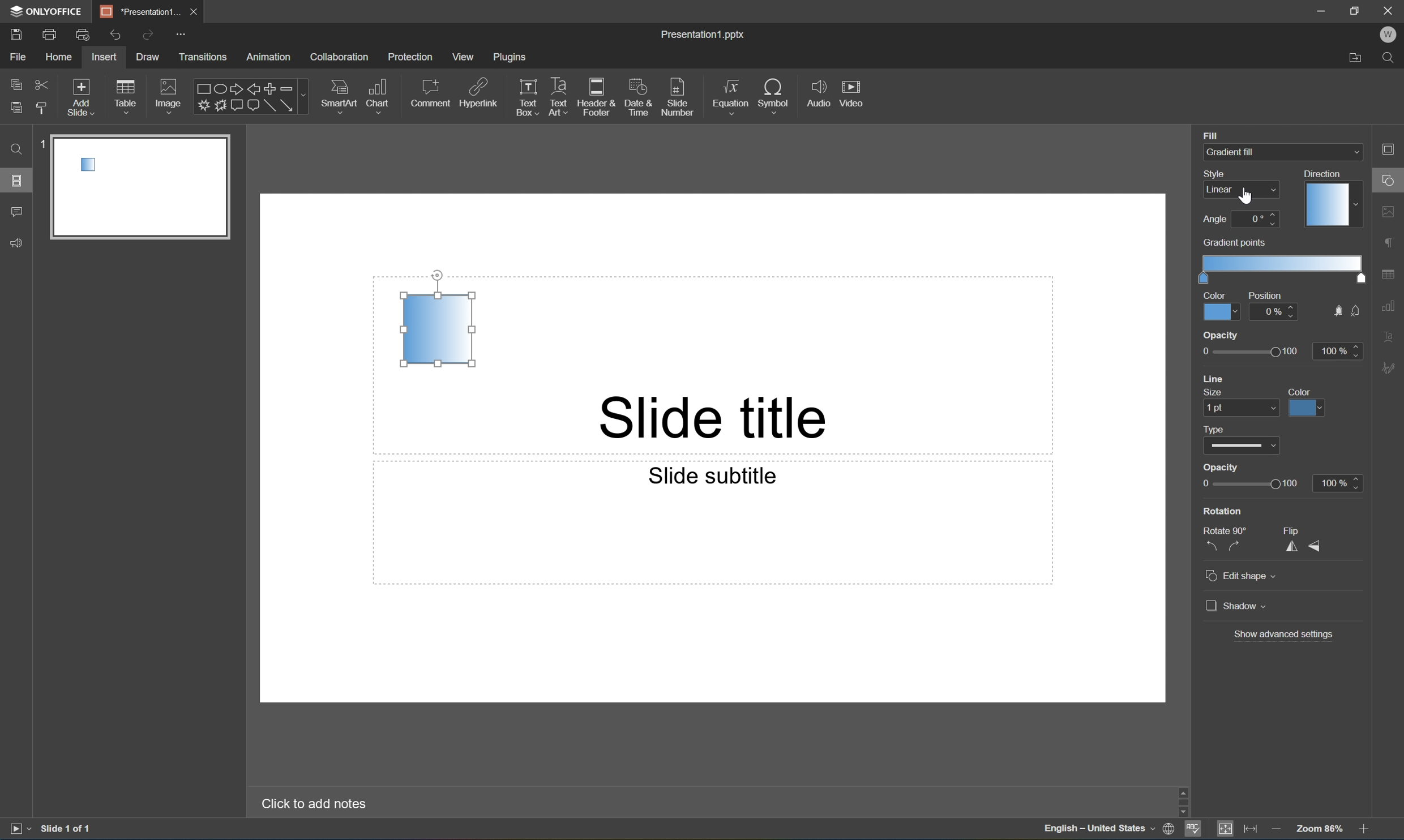 Image resolution: width=1404 pixels, height=840 pixels. I want to click on Undo, so click(115, 36).